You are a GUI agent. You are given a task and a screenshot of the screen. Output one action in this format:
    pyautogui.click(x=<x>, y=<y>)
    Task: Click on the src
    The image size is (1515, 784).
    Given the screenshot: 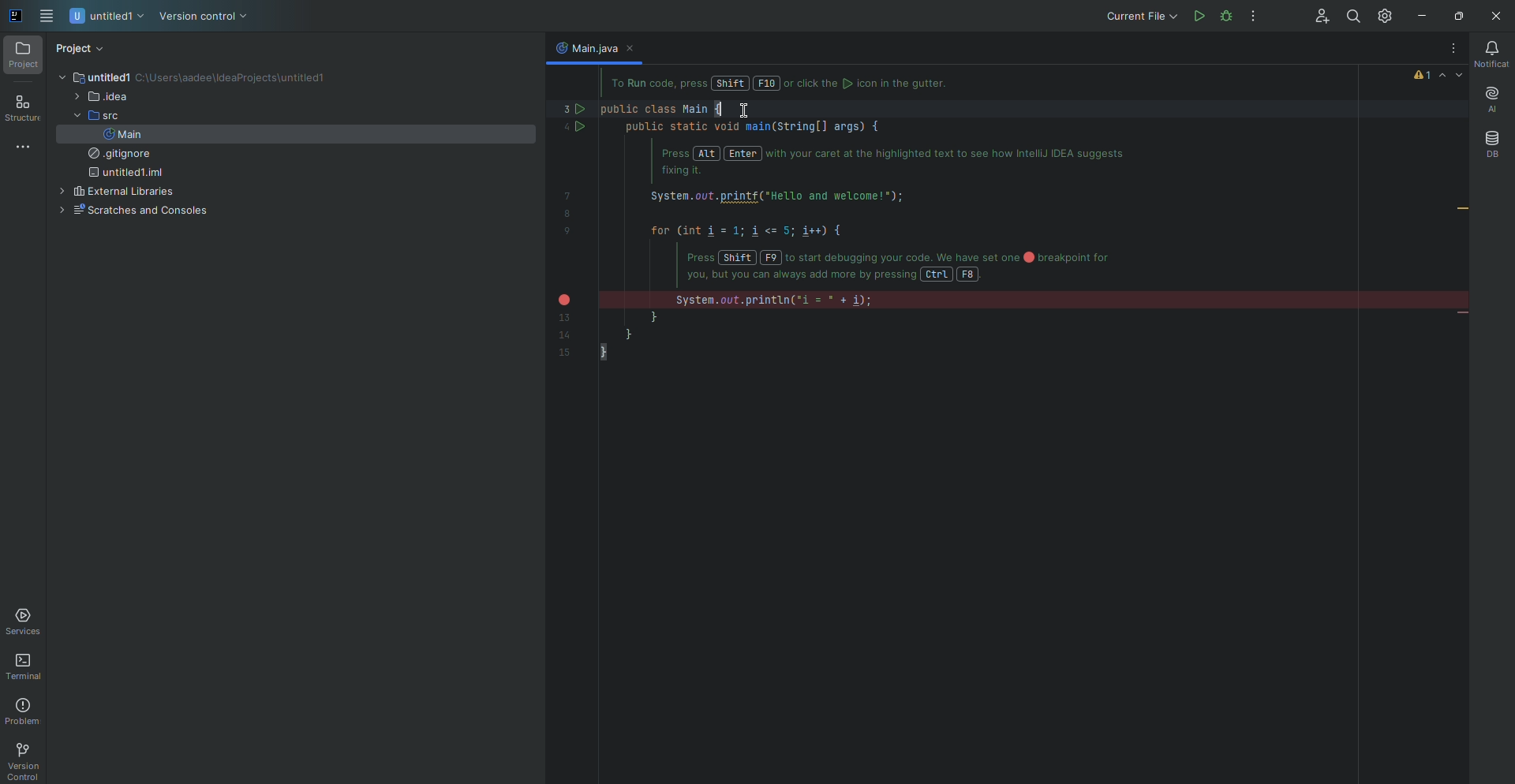 What is the action you would take?
    pyautogui.click(x=92, y=116)
    